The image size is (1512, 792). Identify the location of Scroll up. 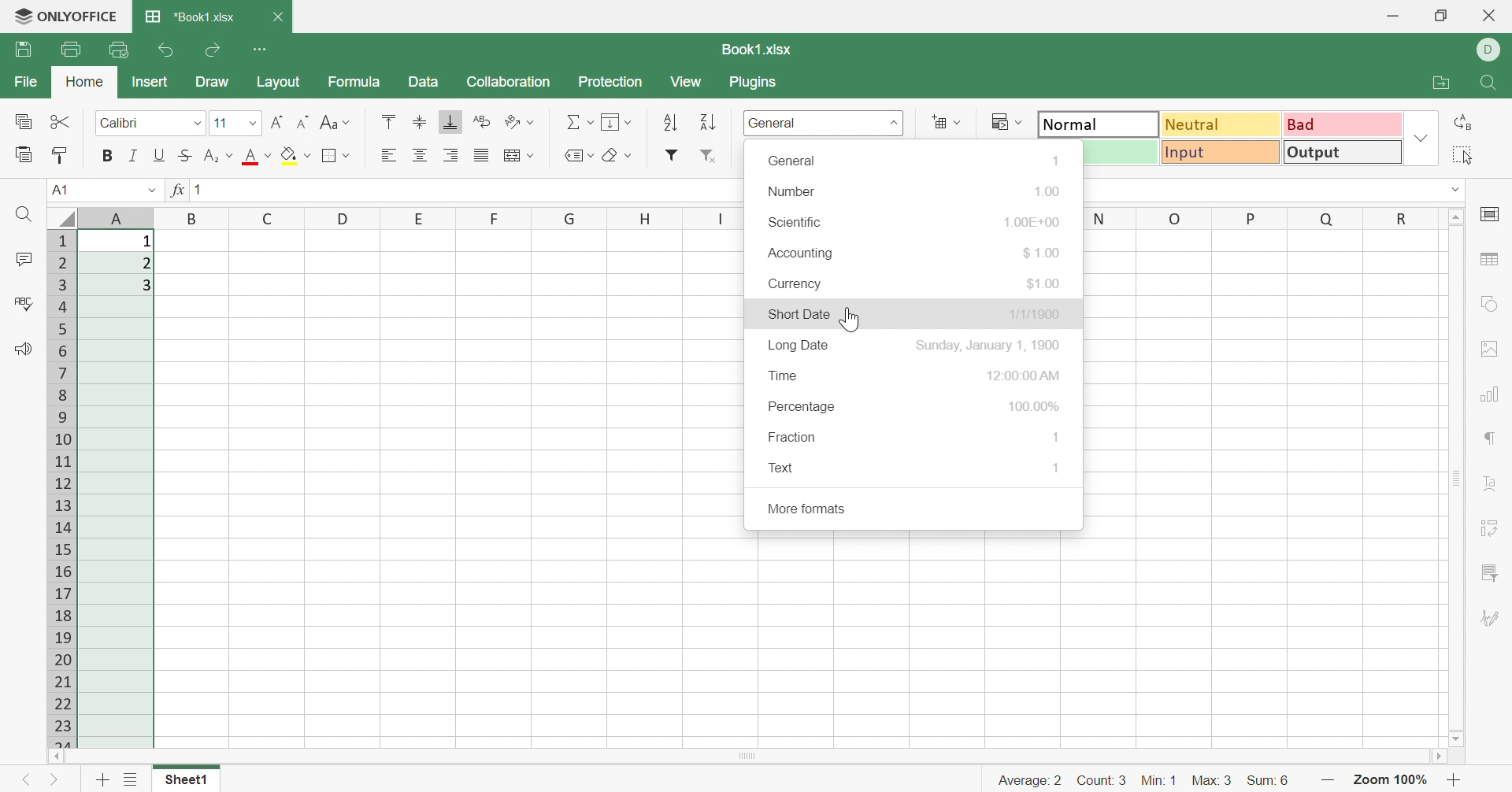
(1455, 217).